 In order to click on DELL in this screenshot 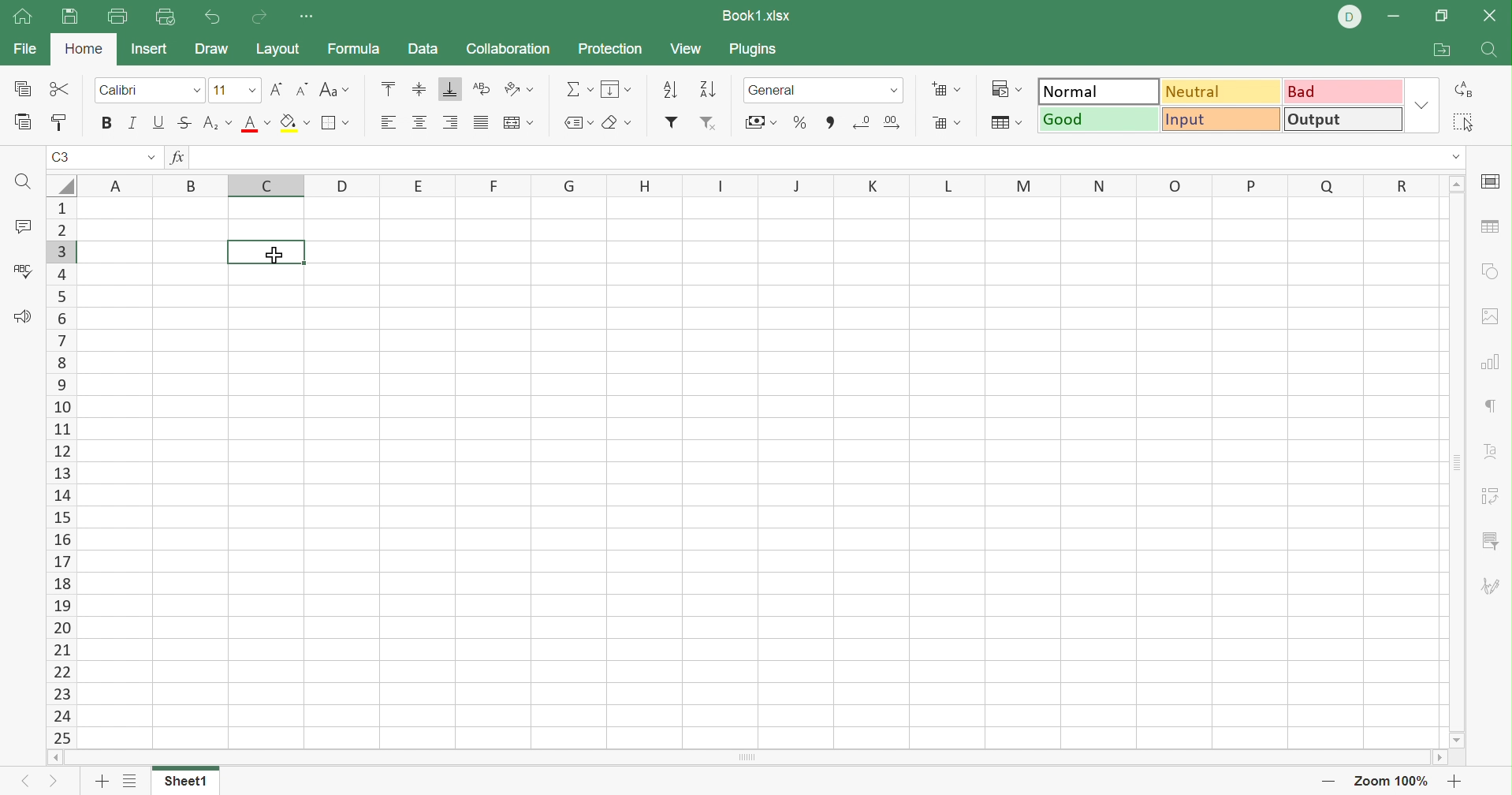, I will do `click(1348, 17)`.